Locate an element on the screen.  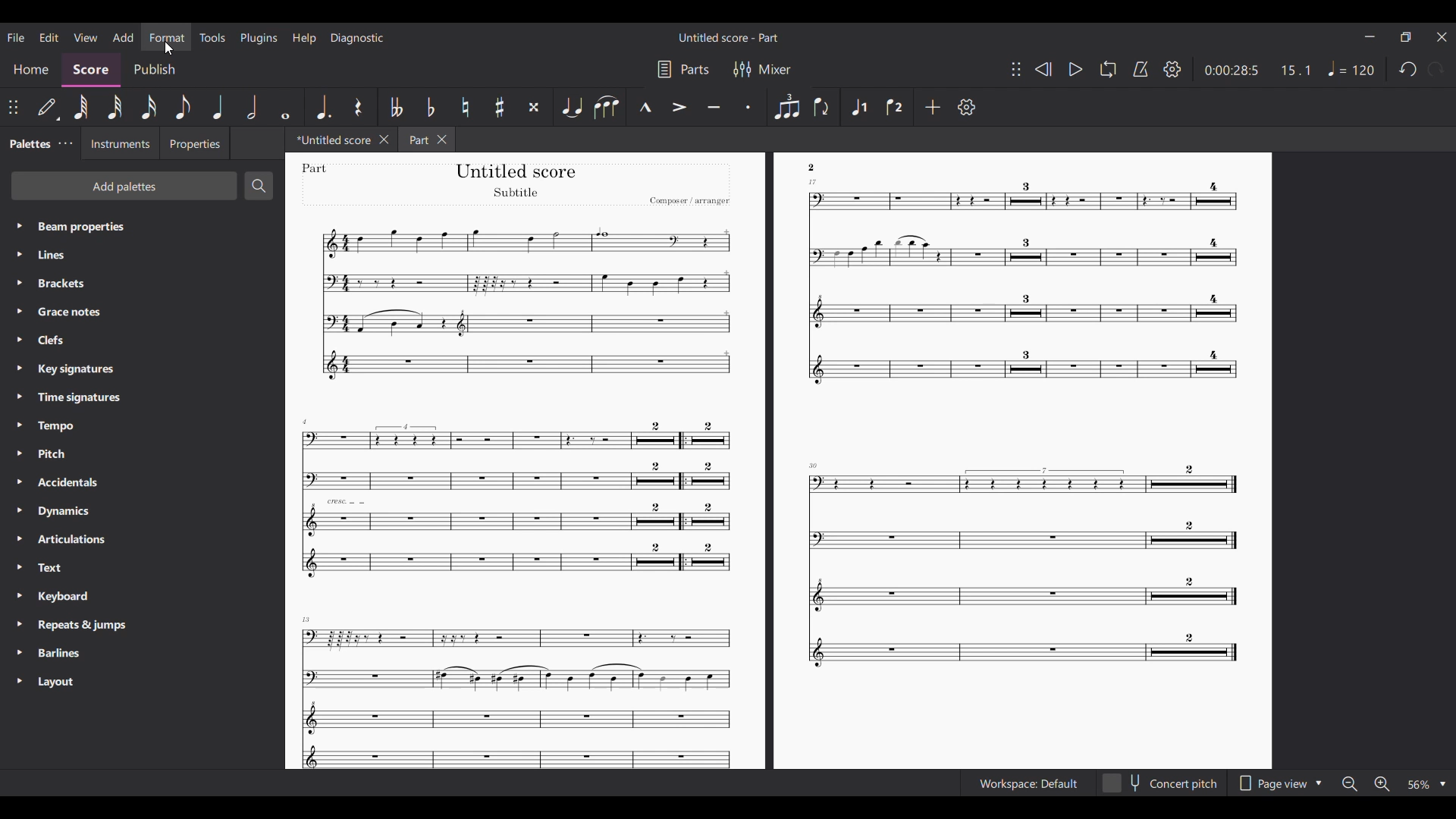
Home section is located at coordinates (30, 71).